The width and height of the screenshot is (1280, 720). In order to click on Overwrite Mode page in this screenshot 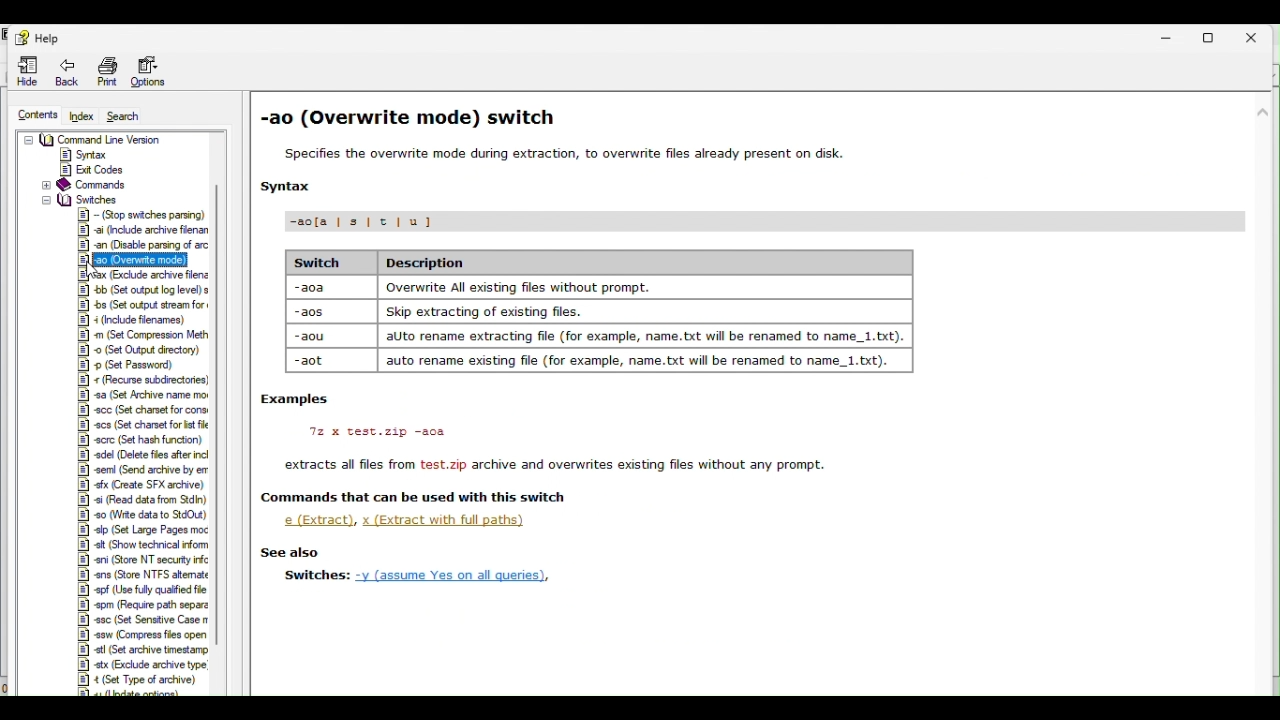, I will do `click(758, 281)`.